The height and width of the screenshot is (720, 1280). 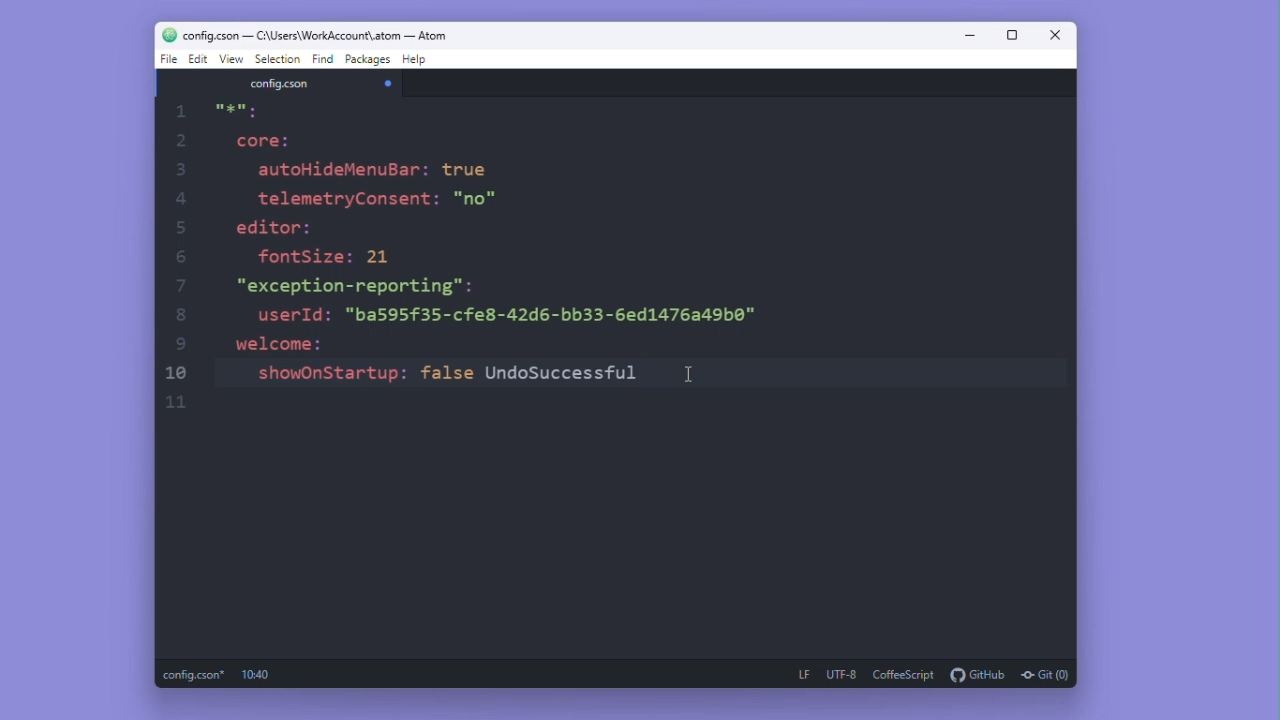 I want to click on resize, so click(x=1012, y=36).